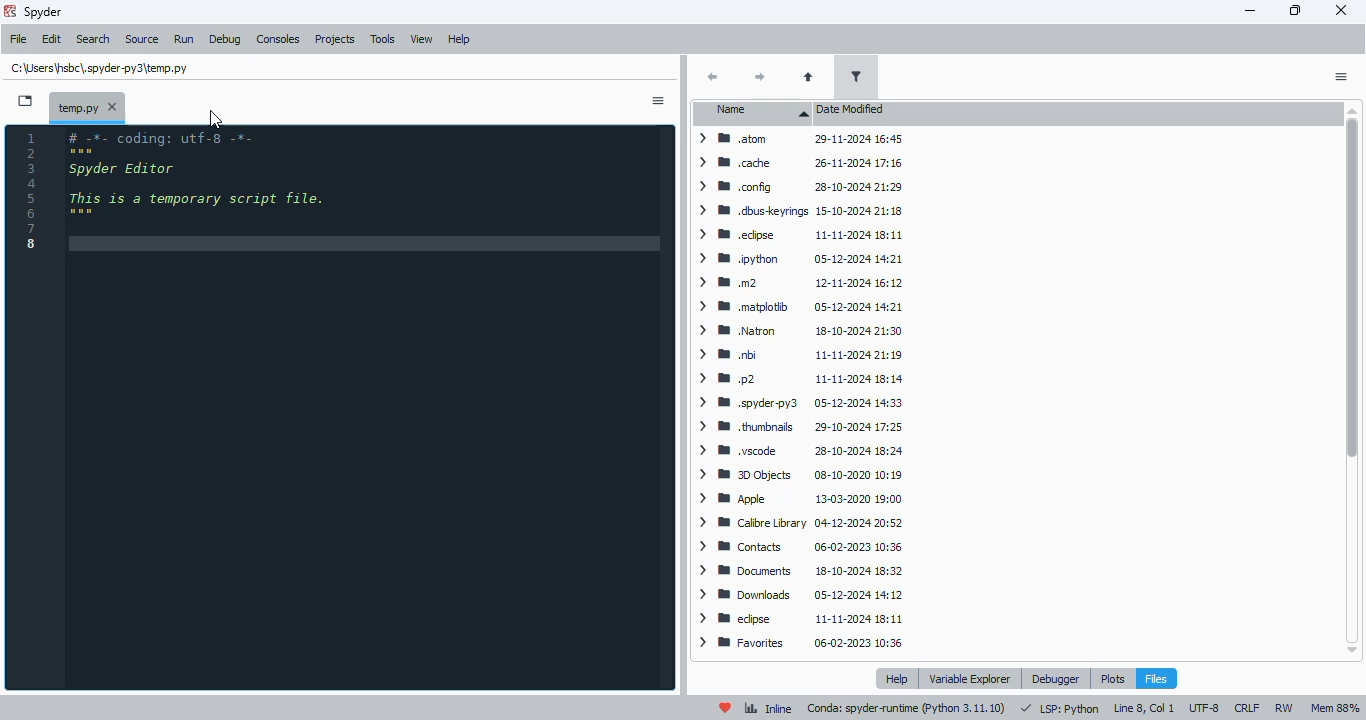 This screenshot has width=1366, height=720. Describe the element at coordinates (796, 259) in the screenshot. I see `> BW python 05-12-2024 14:21` at that location.